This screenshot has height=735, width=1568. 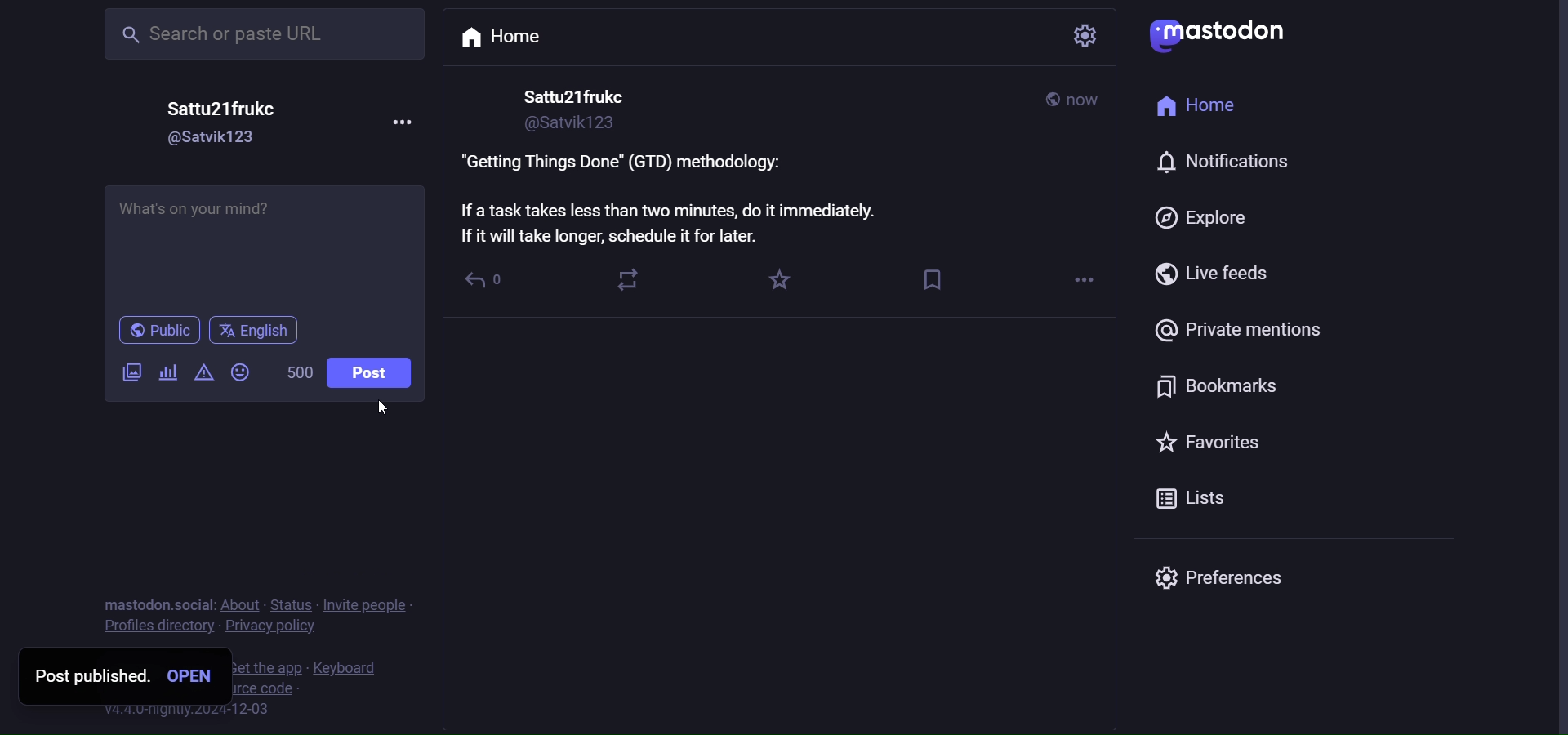 What do you see at coordinates (220, 107) in the screenshot?
I see `name` at bounding box center [220, 107].